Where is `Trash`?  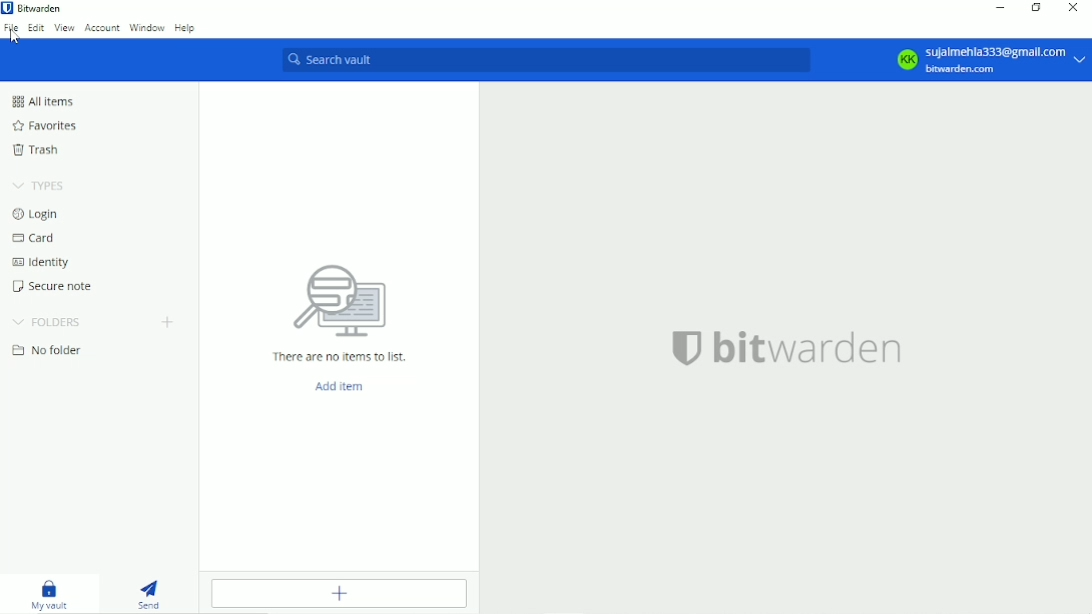 Trash is located at coordinates (37, 149).